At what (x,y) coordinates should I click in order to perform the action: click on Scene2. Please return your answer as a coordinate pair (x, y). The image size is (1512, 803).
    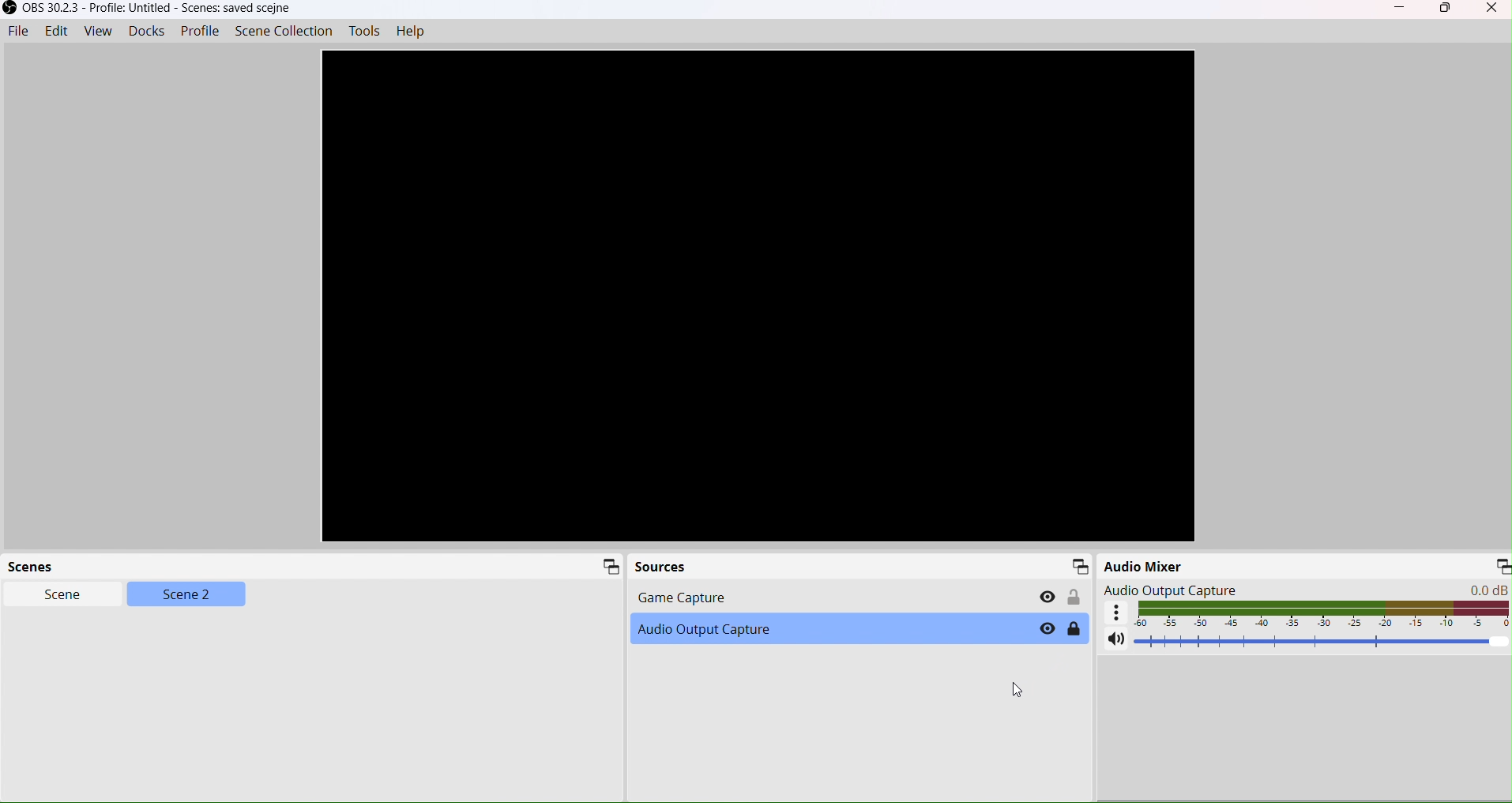
    Looking at the image, I should click on (186, 597).